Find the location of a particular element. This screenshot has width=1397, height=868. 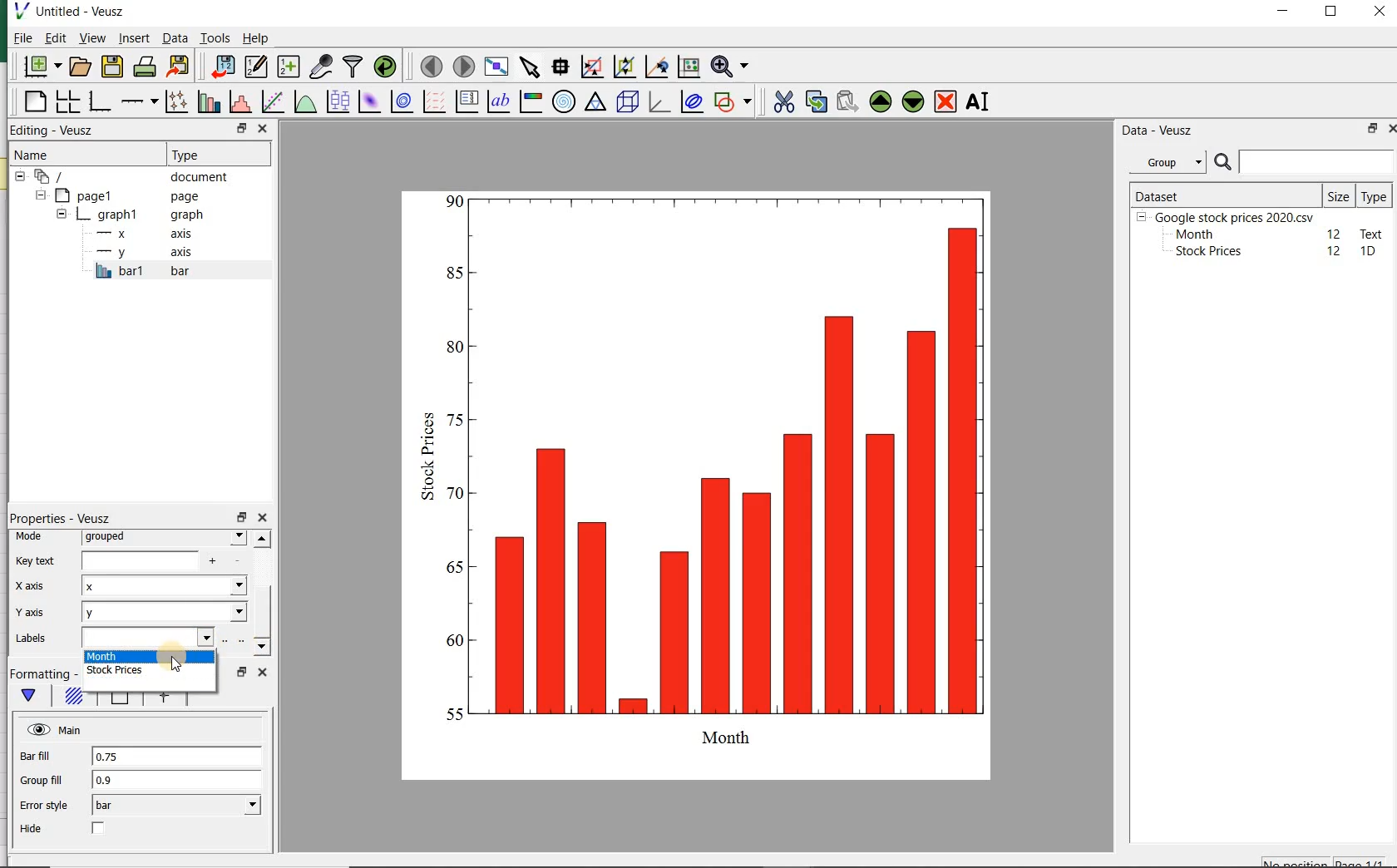

Y-axis is located at coordinates (33, 614).